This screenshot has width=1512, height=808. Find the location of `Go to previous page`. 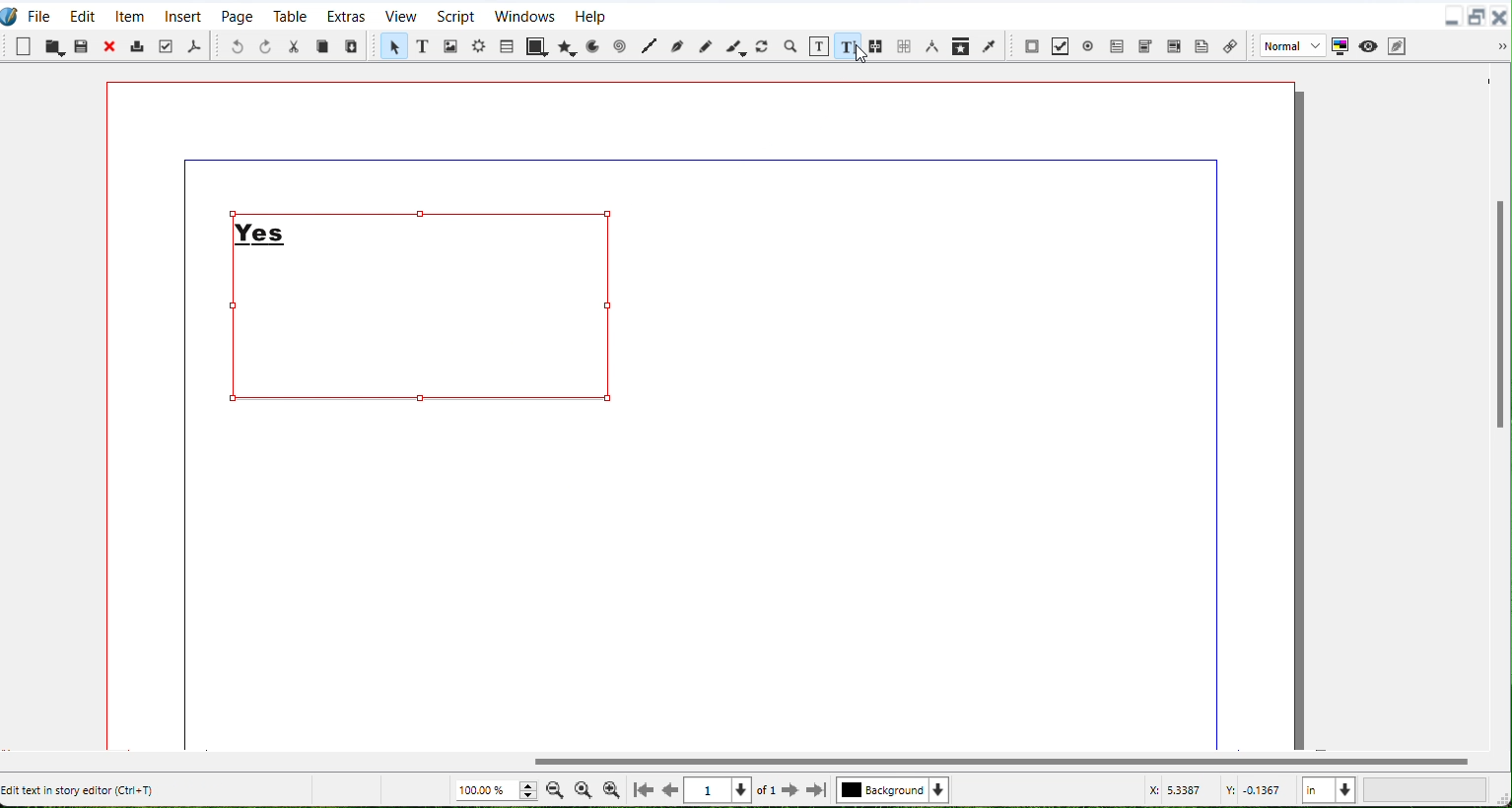

Go to previous page is located at coordinates (673, 790).